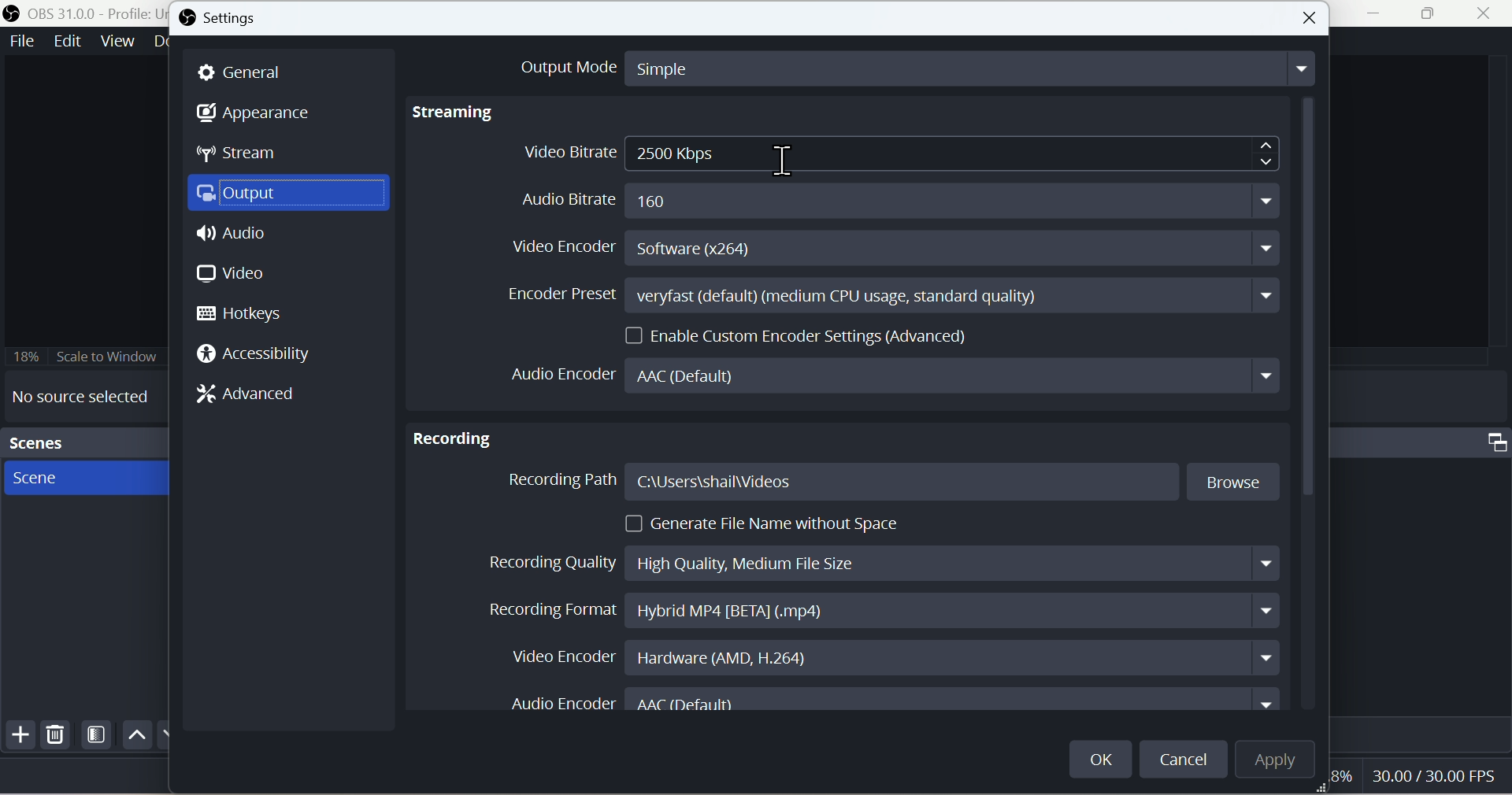 The image size is (1512, 795). Describe the element at coordinates (1436, 14) in the screenshot. I see `Maximise` at that location.